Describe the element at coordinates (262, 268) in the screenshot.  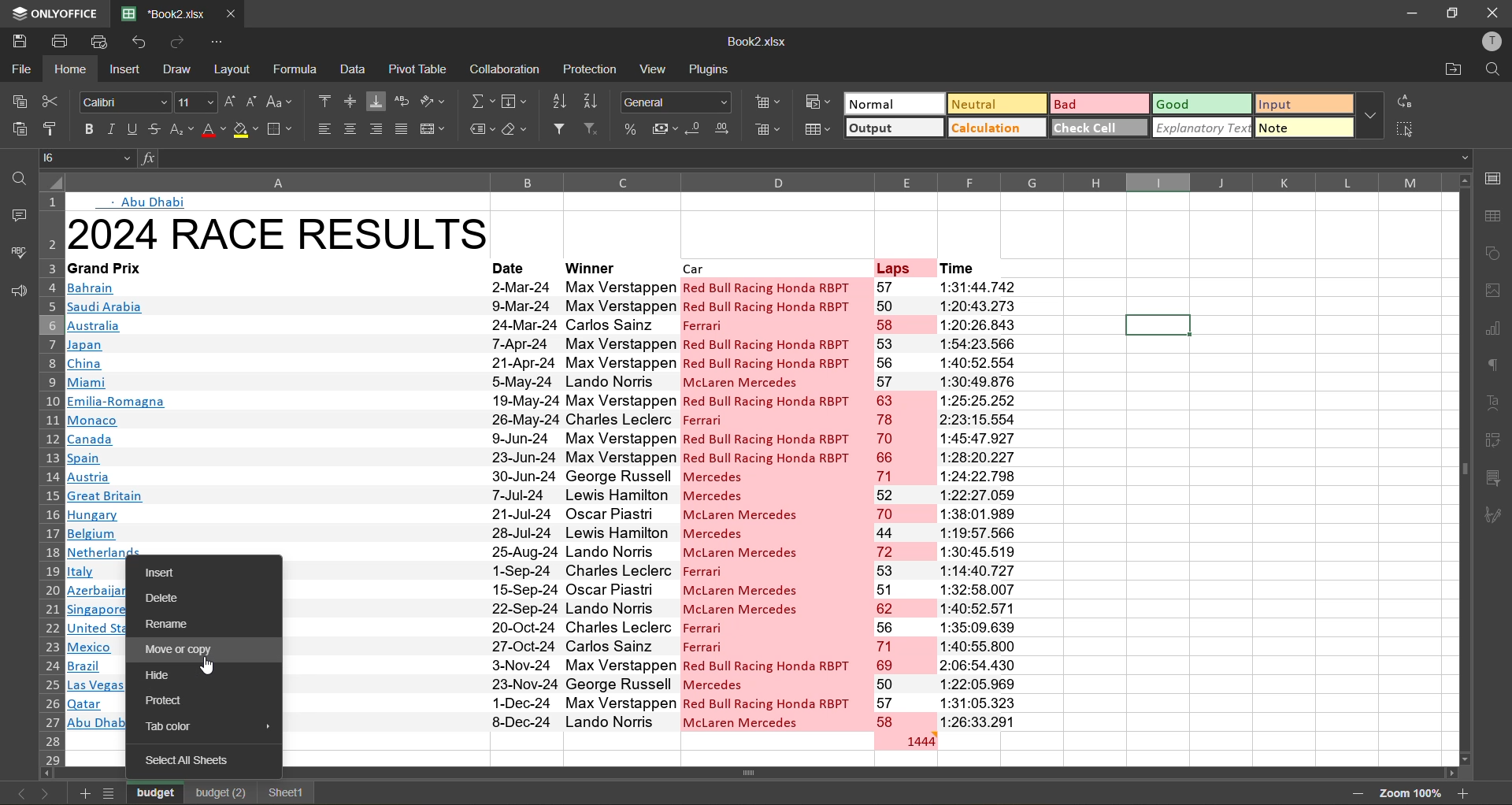
I see `grand prix` at that location.